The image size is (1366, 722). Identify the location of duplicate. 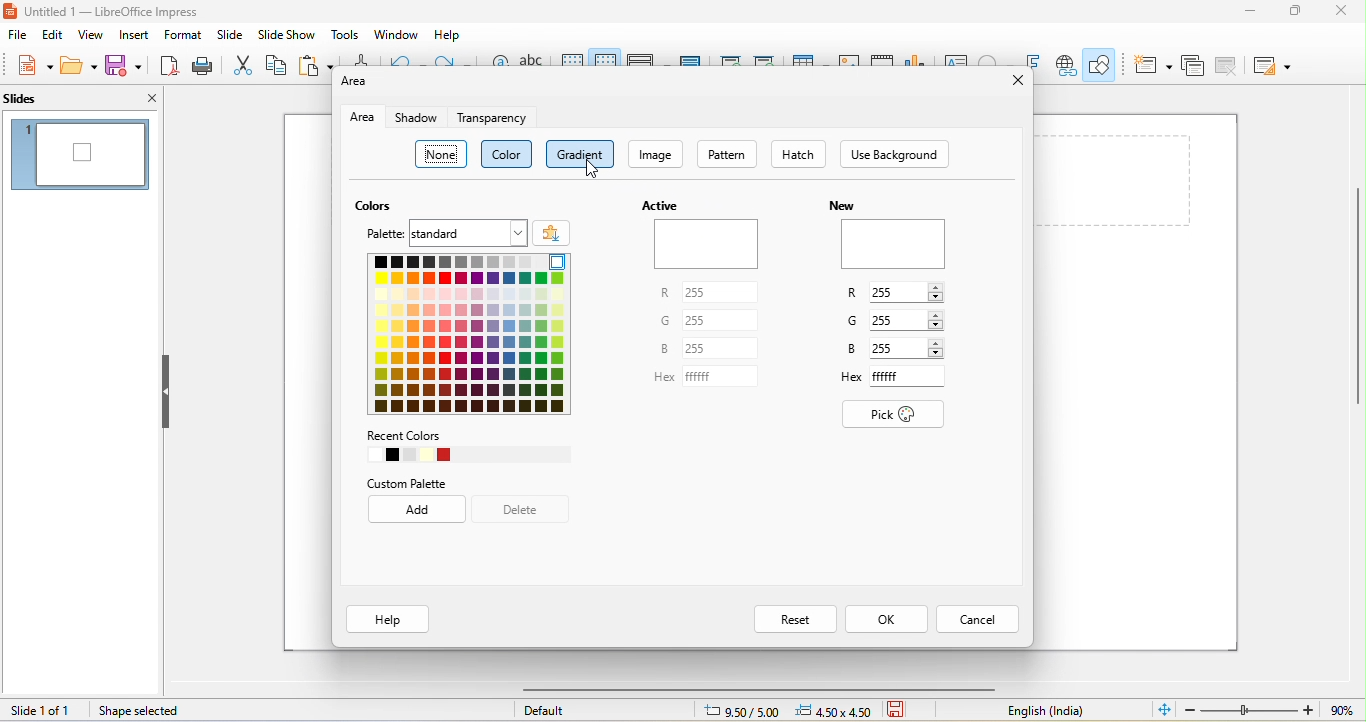
(1194, 64).